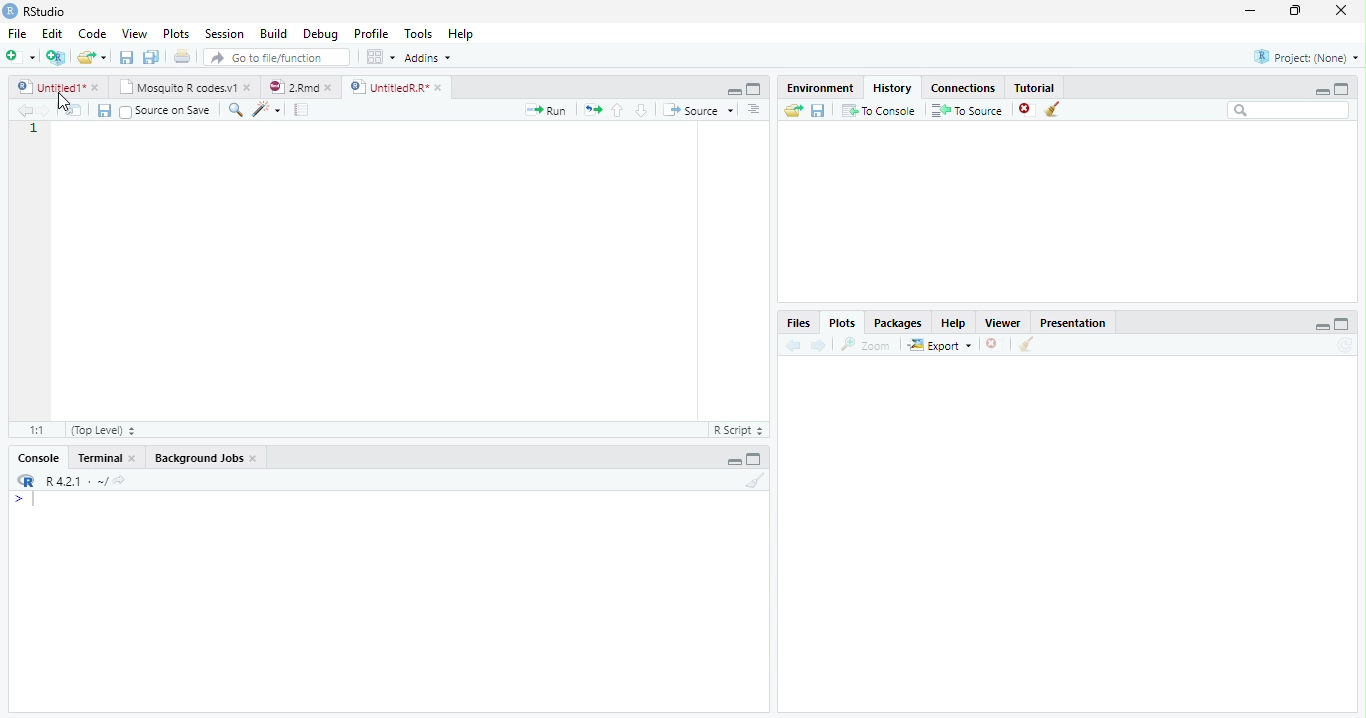 Image resolution: width=1366 pixels, height=718 pixels. Describe the element at coordinates (44, 111) in the screenshot. I see `Go forward to next source location` at that location.